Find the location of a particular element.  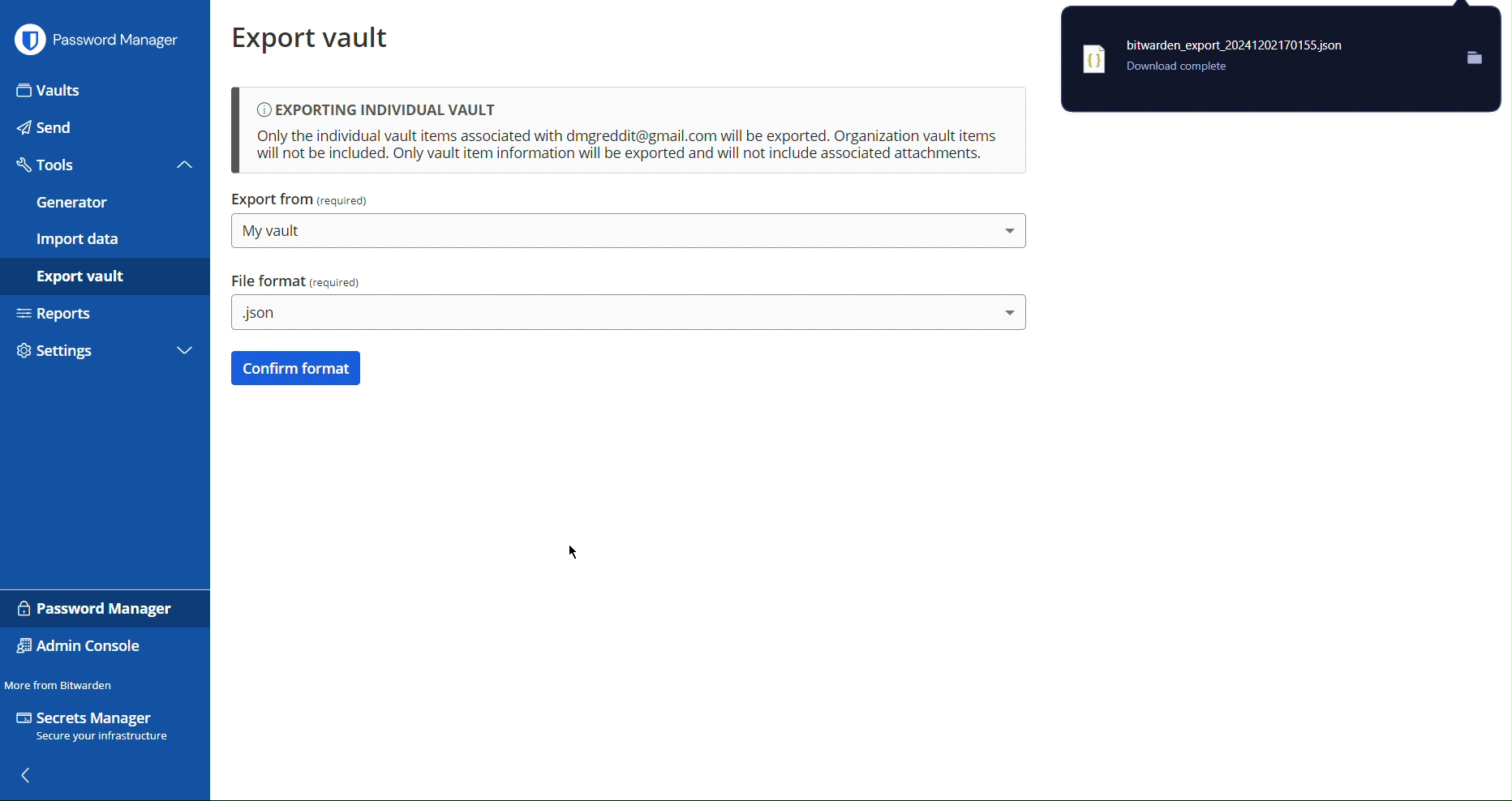

Generator is located at coordinates (102, 204).